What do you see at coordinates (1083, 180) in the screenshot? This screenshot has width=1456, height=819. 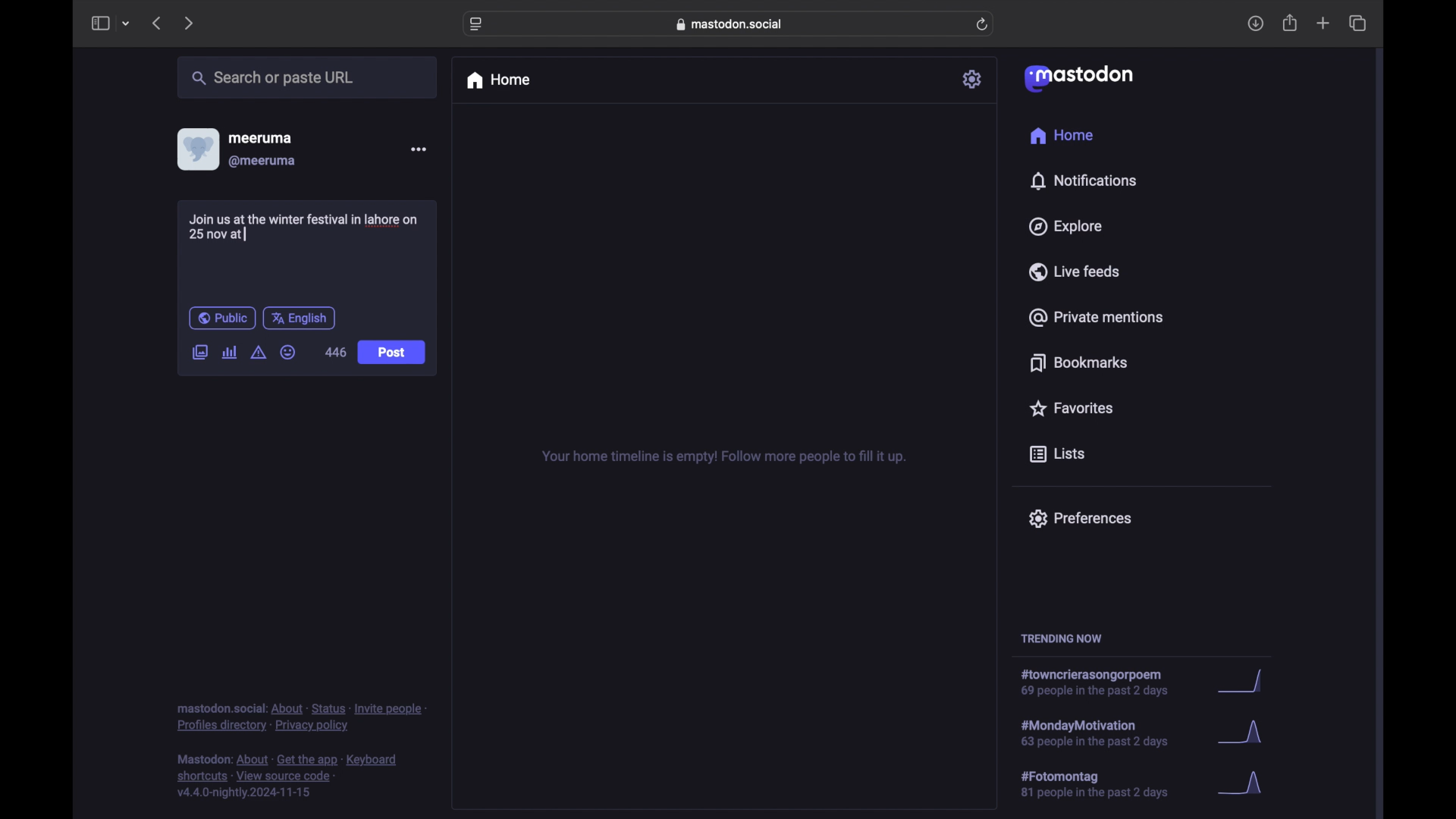 I see `notifications` at bounding box center [1083, 180].